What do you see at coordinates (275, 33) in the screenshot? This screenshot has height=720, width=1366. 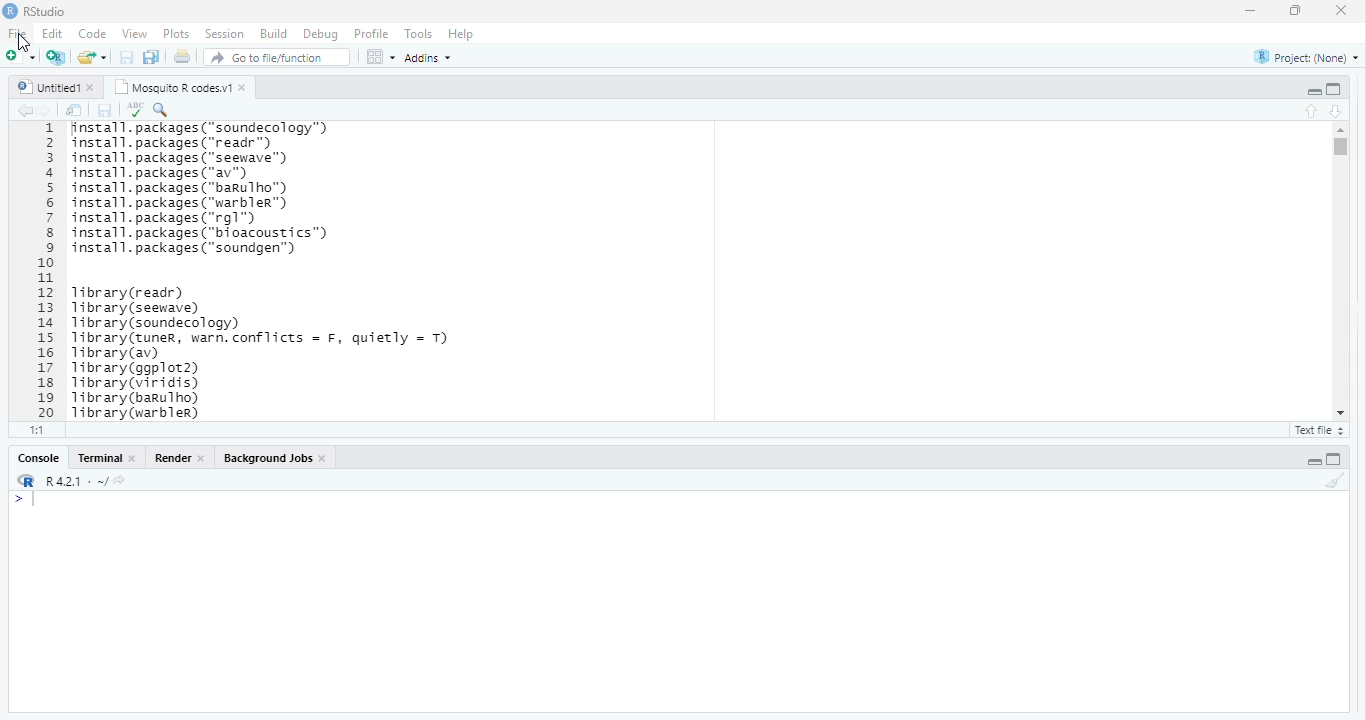 I see `Build` at bounding box center [275, 33].